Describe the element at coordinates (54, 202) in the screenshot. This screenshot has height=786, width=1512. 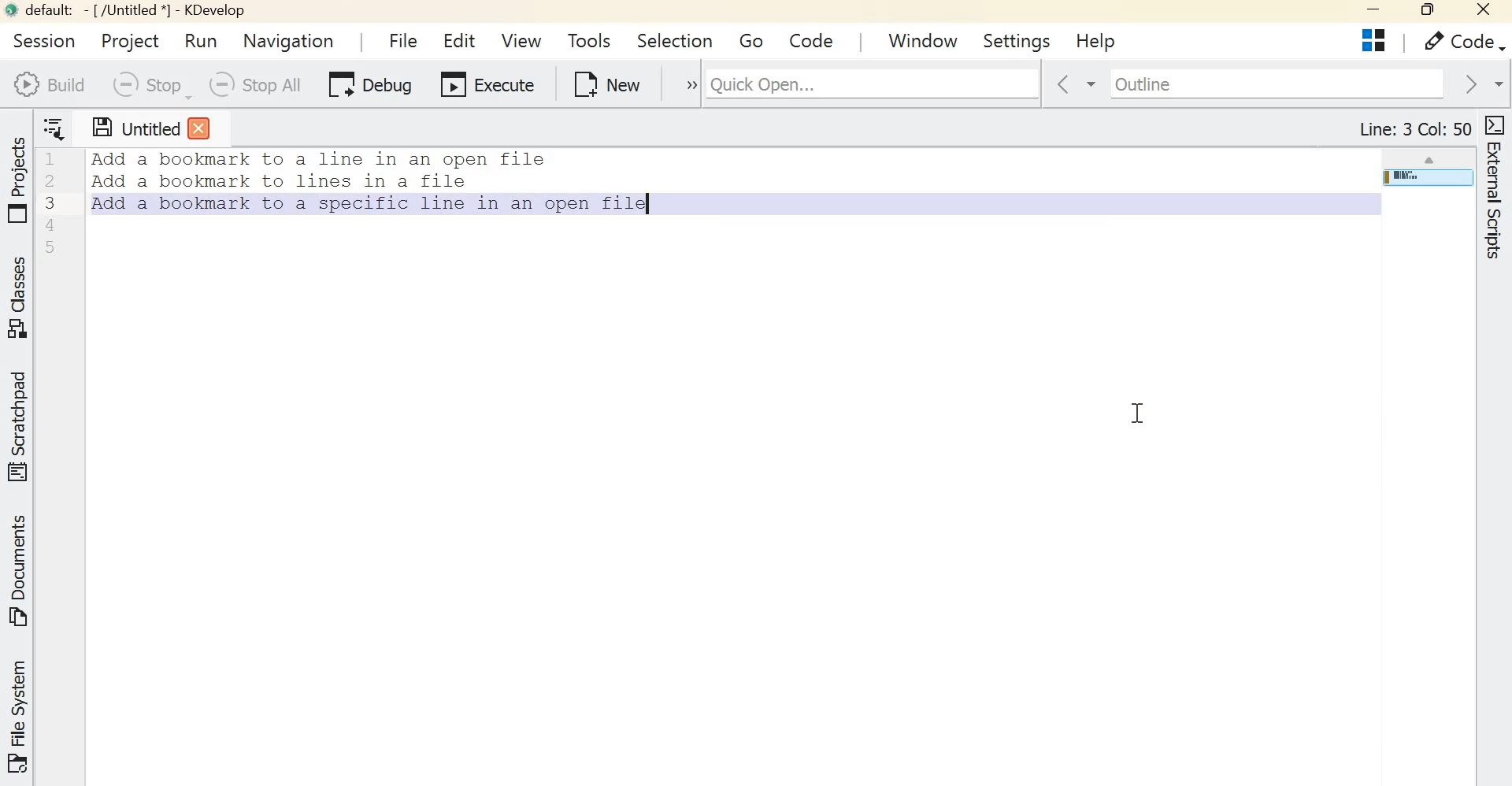
I see `Line numbers` at that location.